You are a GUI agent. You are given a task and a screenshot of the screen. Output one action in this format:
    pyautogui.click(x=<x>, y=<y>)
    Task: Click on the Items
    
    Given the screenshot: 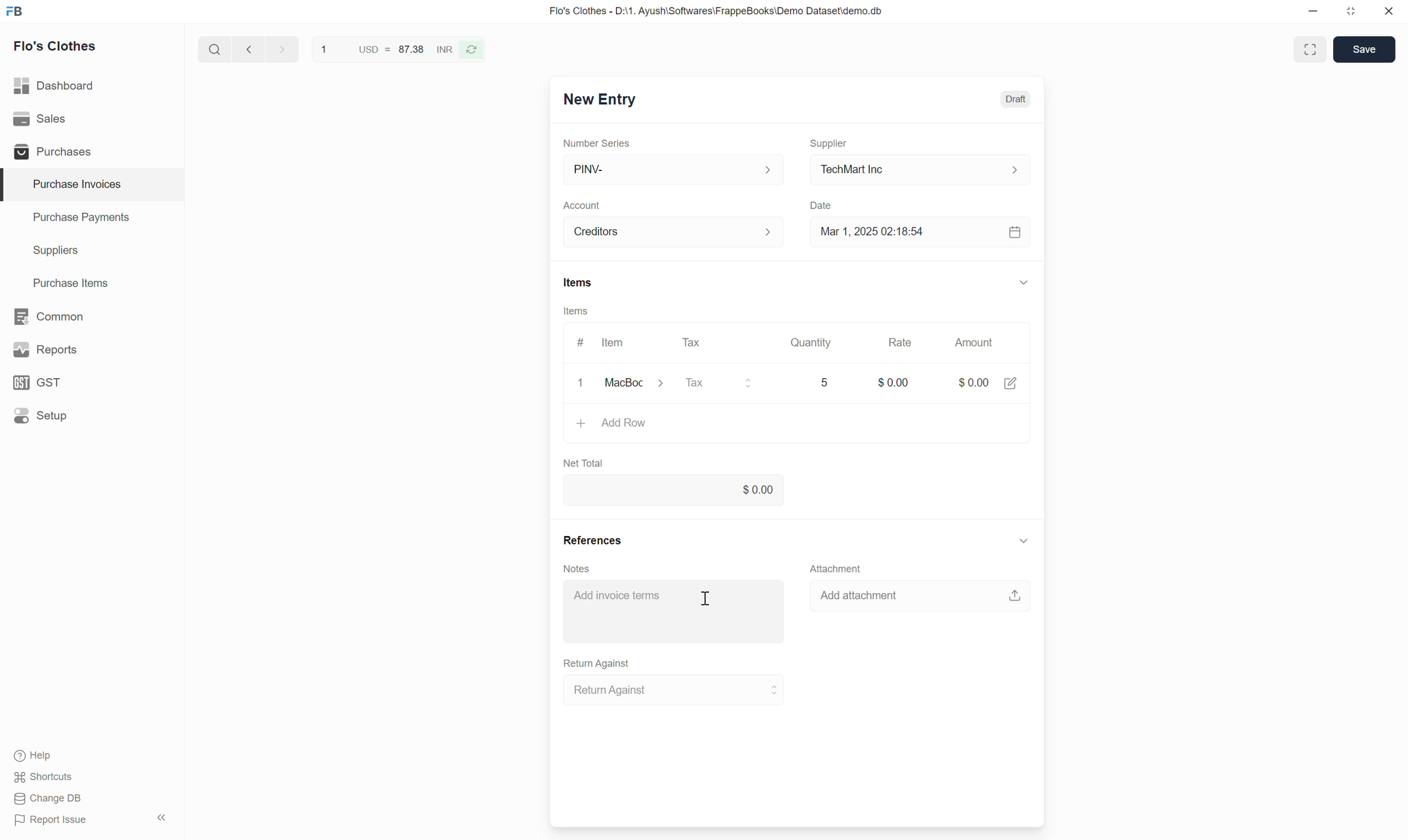 What is the action you would take?
    pyautogui.click(x=579, y=282)
    